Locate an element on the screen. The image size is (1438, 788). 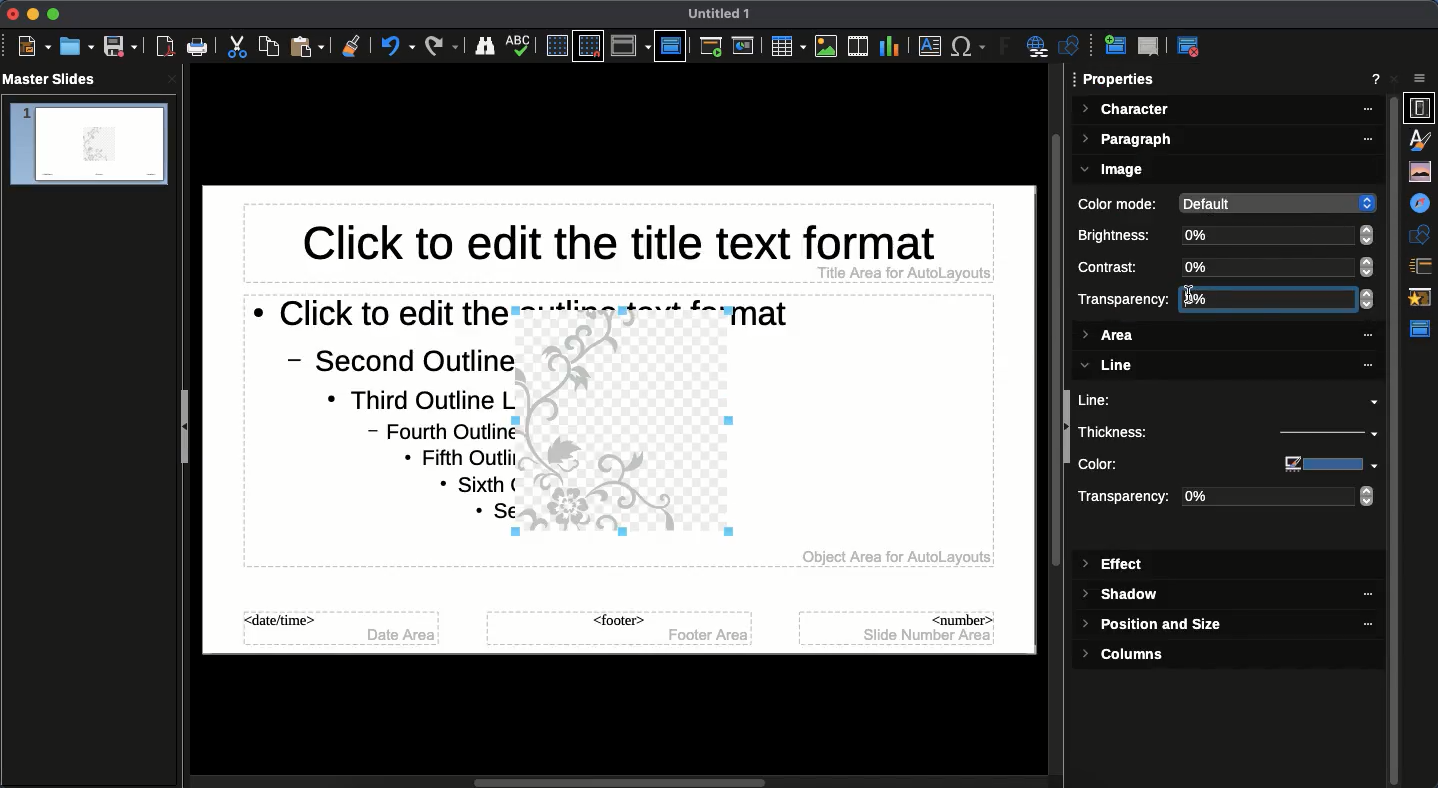
Color mode is located at coordinates (1121, 204).